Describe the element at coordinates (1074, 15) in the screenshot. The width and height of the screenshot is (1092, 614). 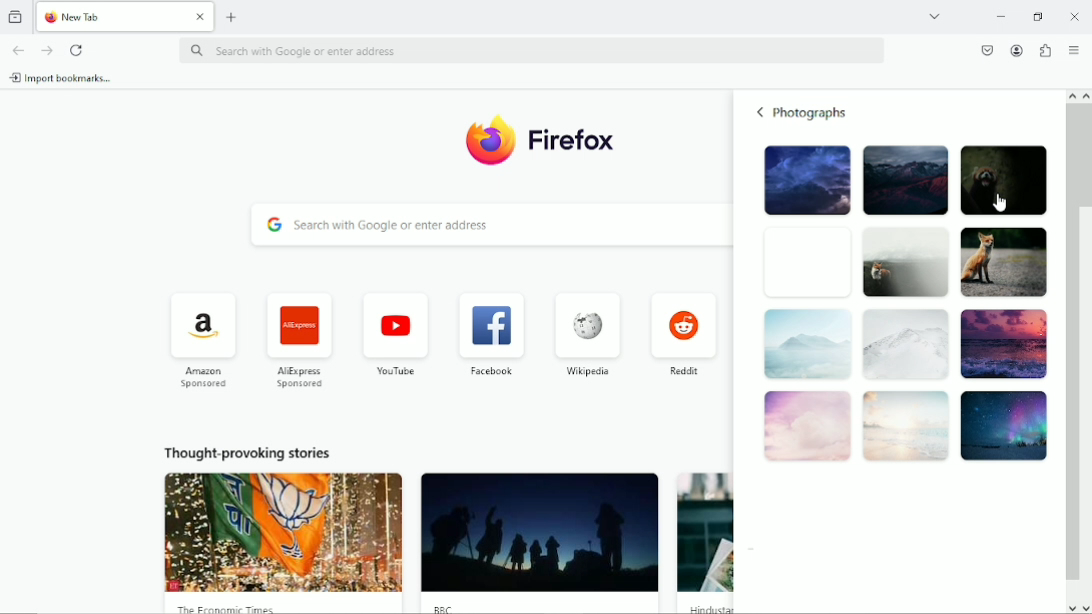
I see `Close` at that location.